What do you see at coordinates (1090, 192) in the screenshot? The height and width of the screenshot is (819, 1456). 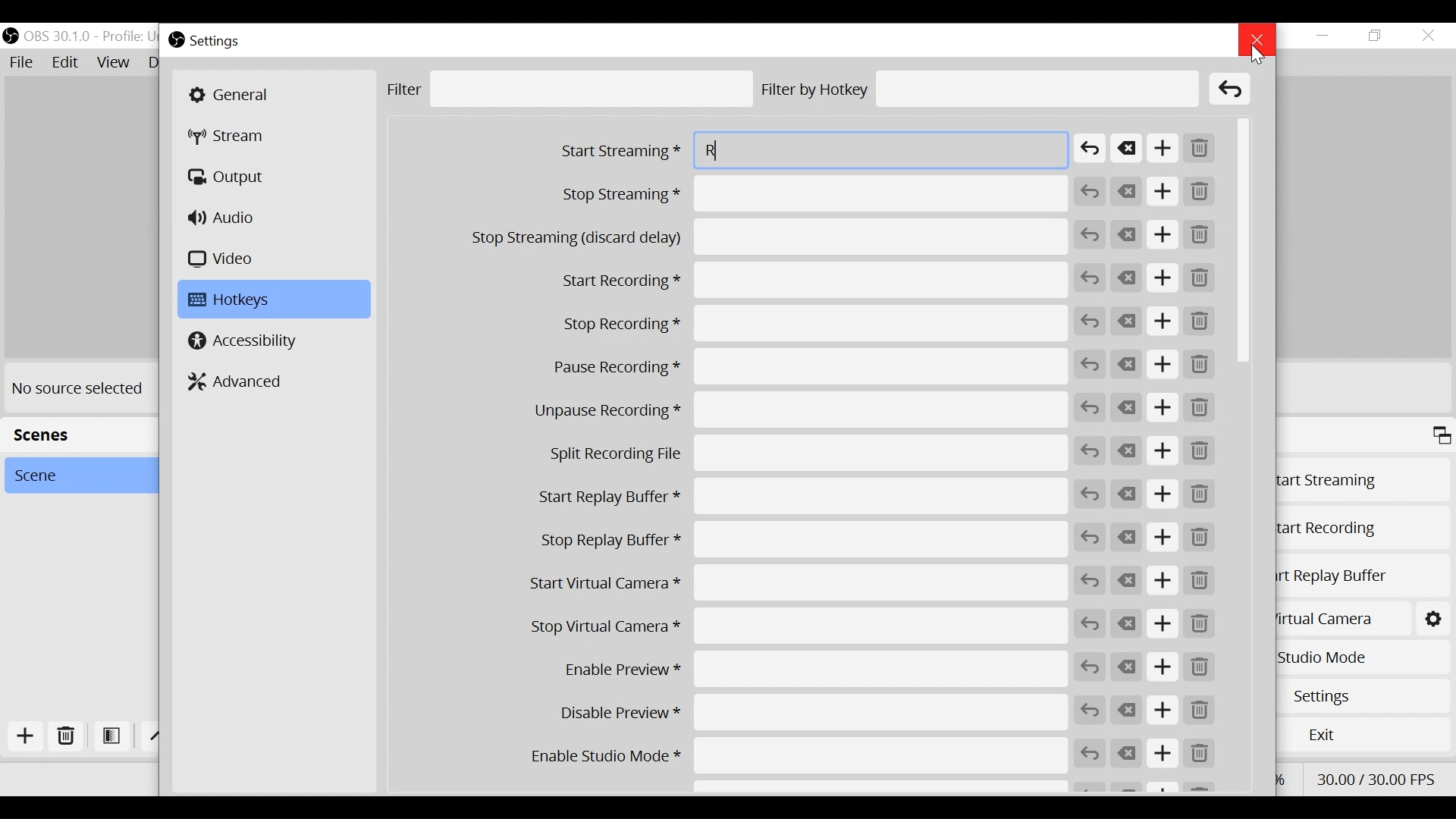 I see `Revert` at bounding box center [1090, 192].